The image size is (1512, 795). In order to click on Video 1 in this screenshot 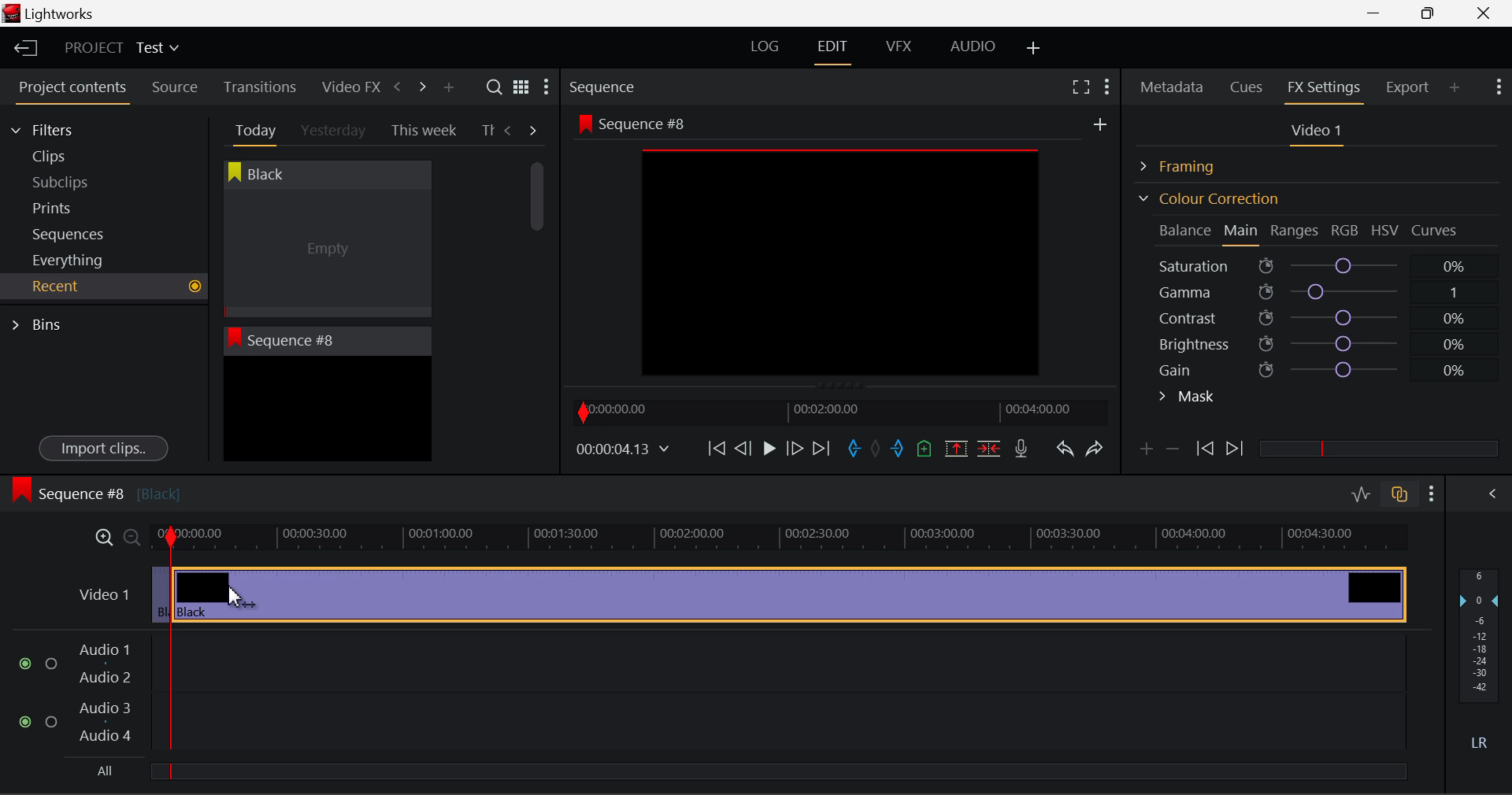, I will do `click(102, 594)`.